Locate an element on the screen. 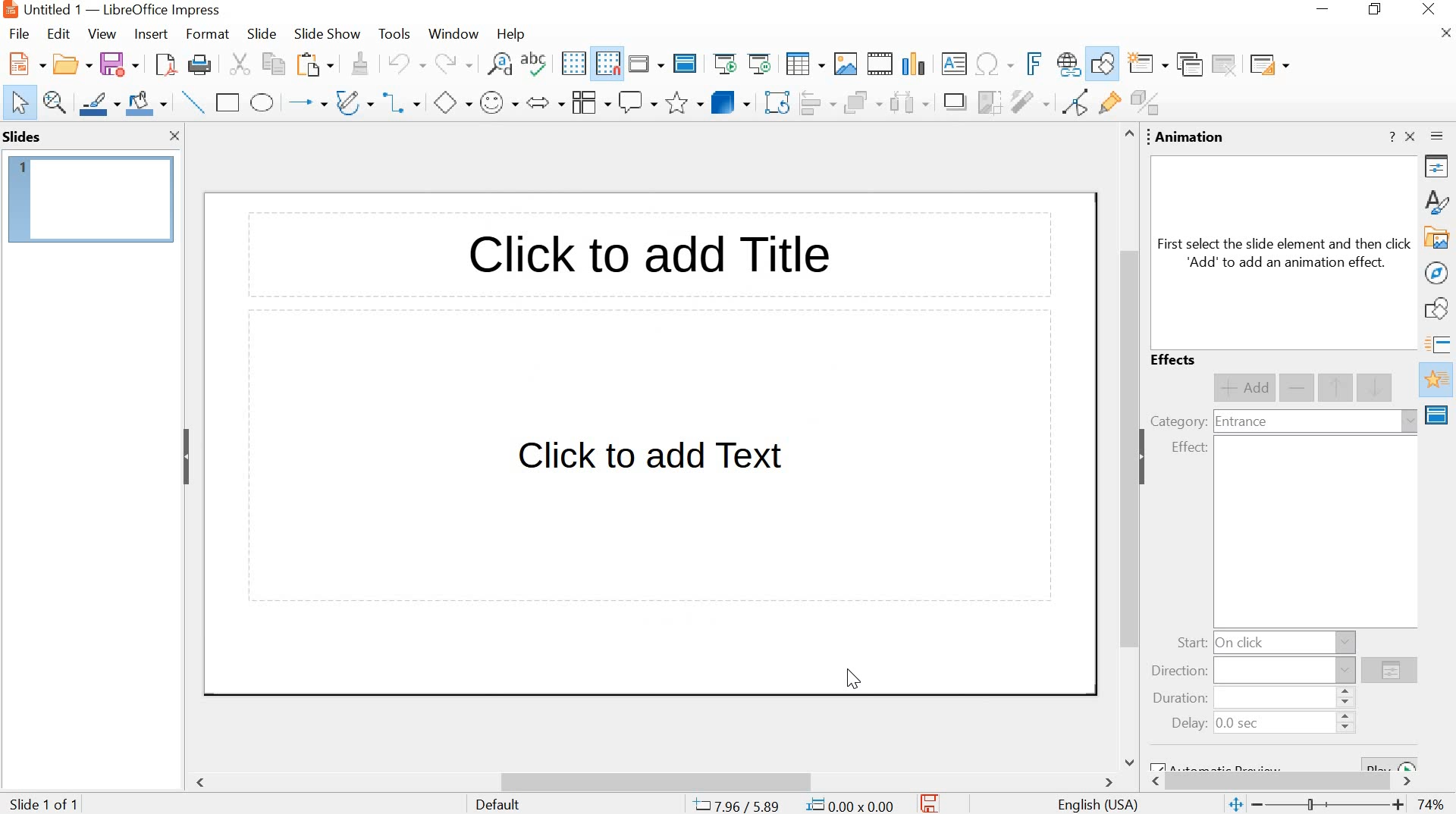  insert hyperlink is located at coordinates (1067, 65).